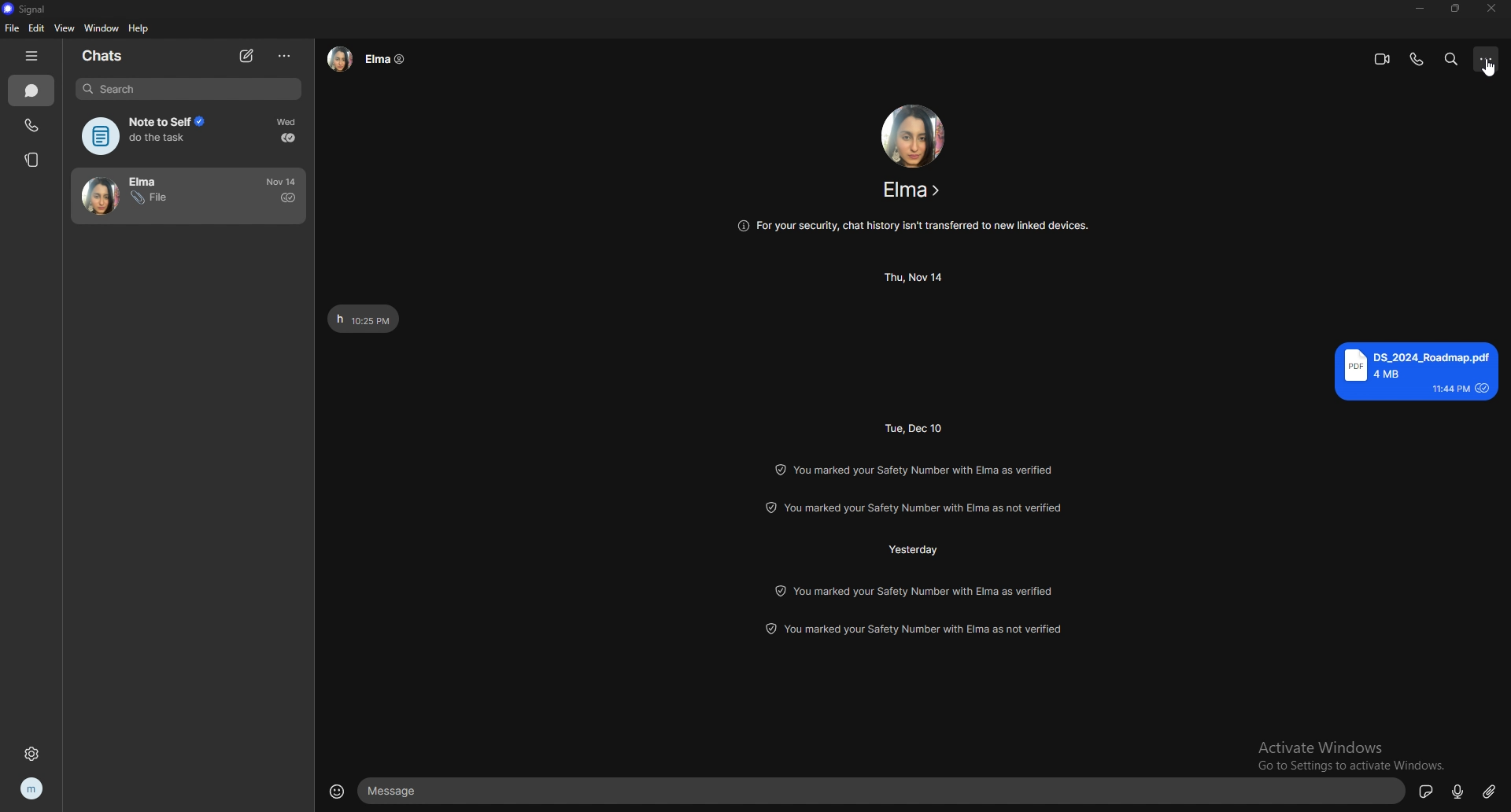 This screenshot has height=812, width=1511. Describe the element at coordinates (246, 56) in the screenshot. I see `new chat` at that location.